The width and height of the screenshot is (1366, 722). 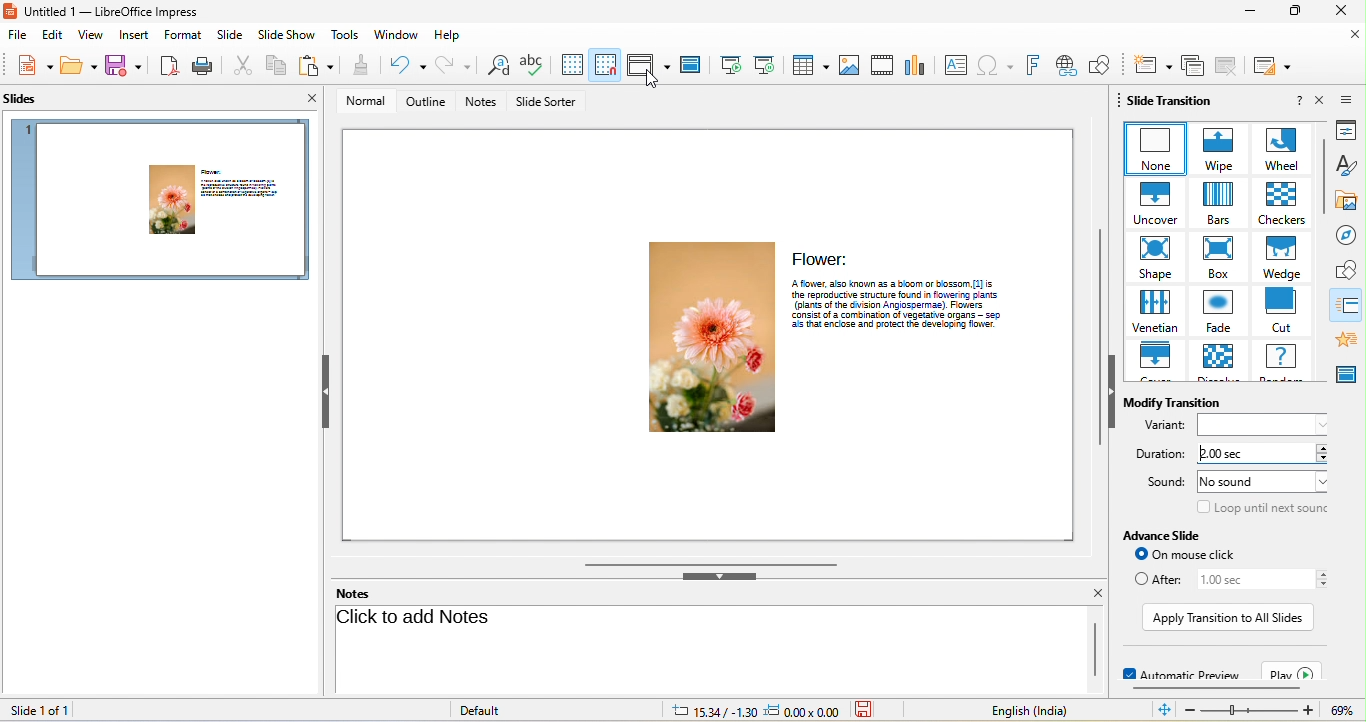 I want to click on delete slide, so click(x=1229, y=66).